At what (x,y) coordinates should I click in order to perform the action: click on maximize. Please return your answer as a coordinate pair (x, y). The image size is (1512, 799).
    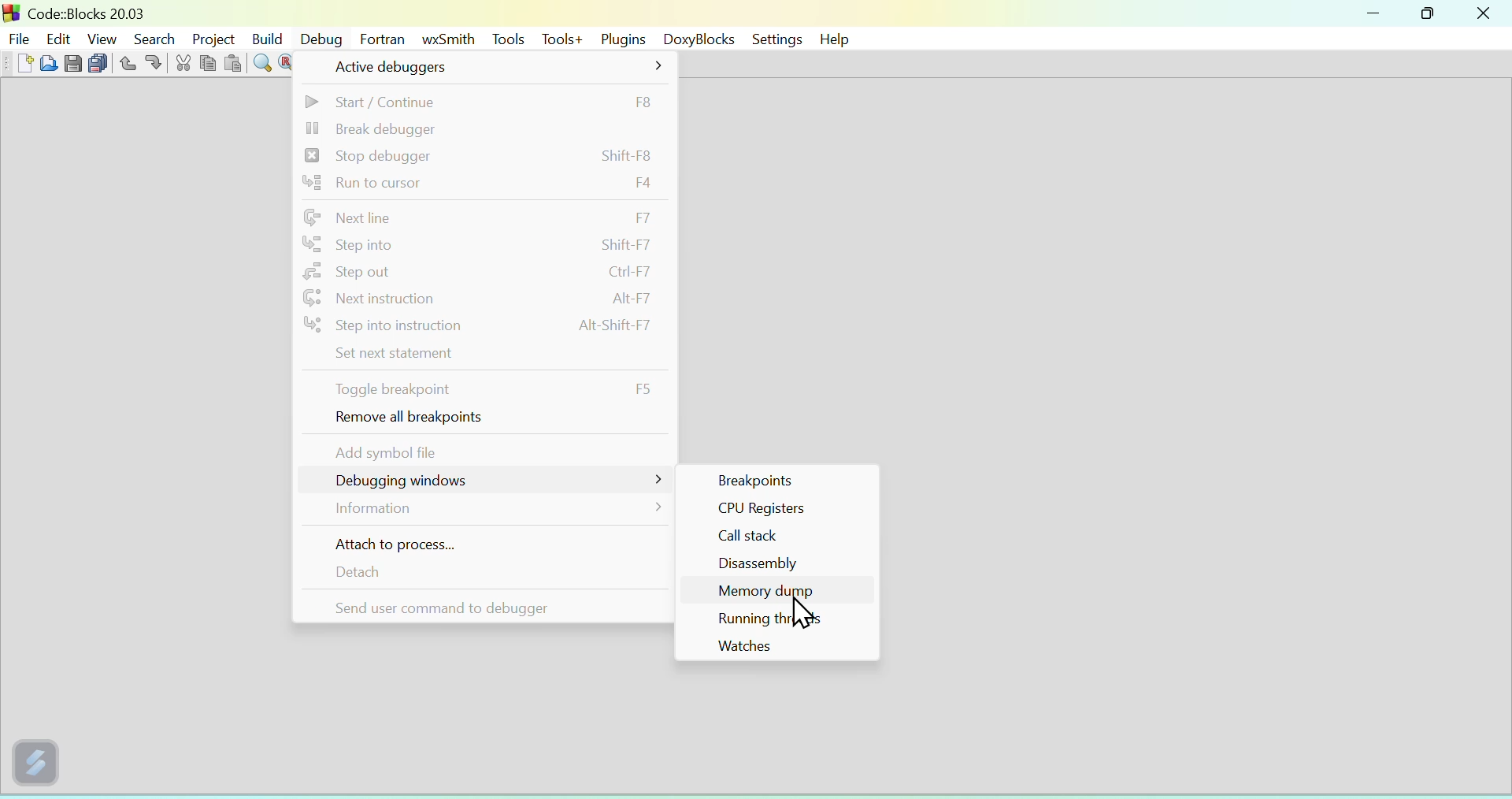
    Looking at the image, I should click on (1429, 13).